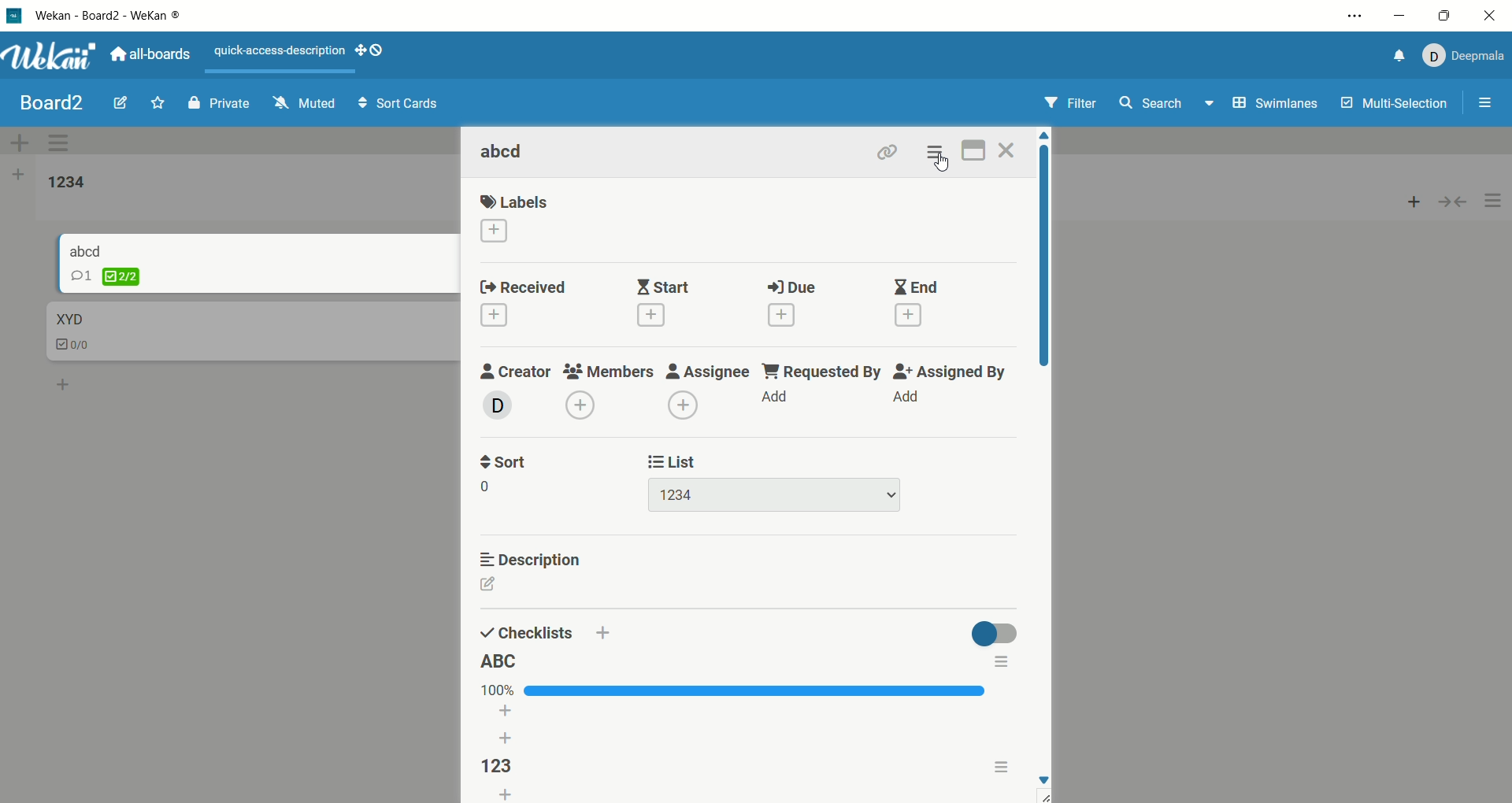 This screenshot has height=803, width=1512. Describe the element at coordinates (84, 276) in the screenshot. I see `comment` at that location.